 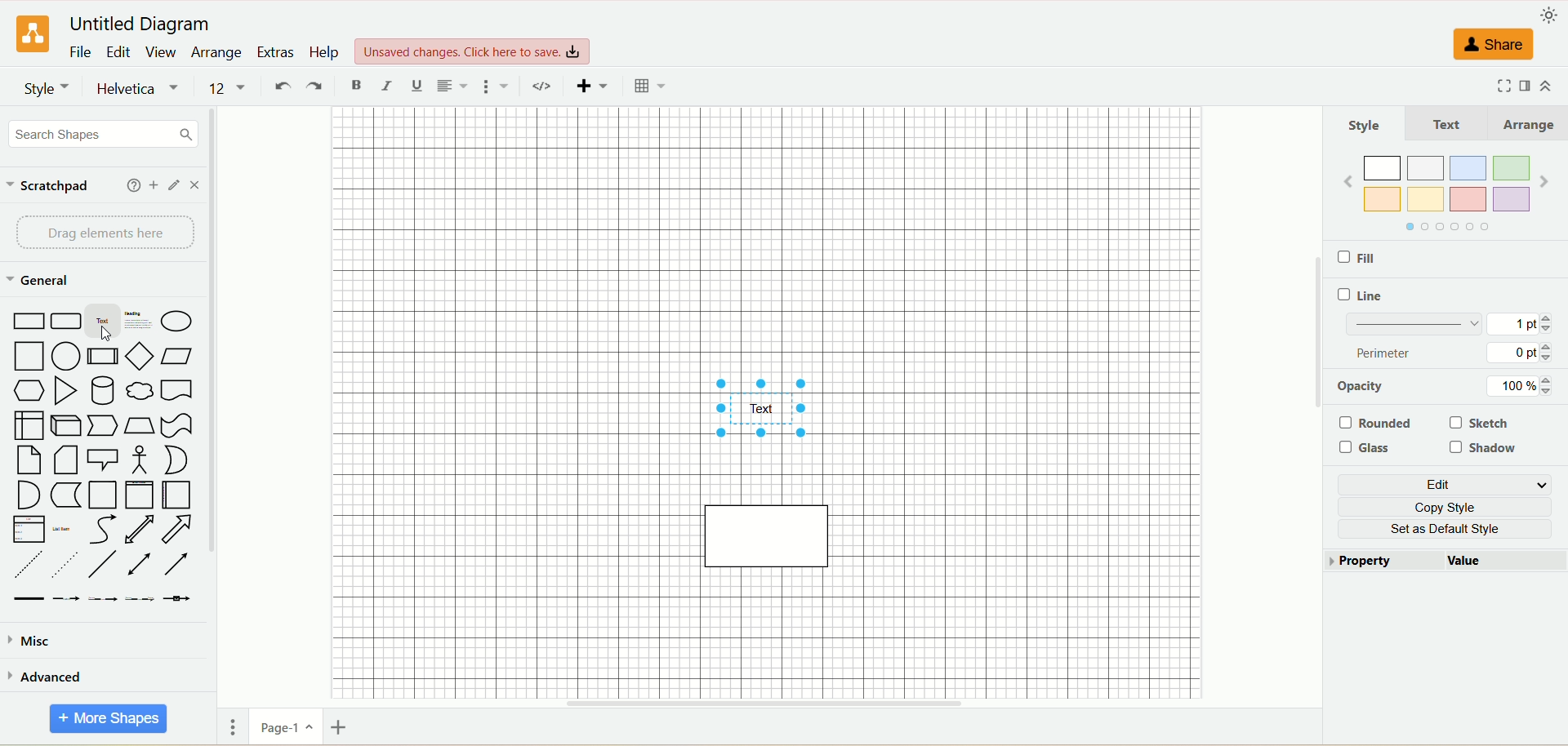 I want to click on view, so click(x=163, y=53).